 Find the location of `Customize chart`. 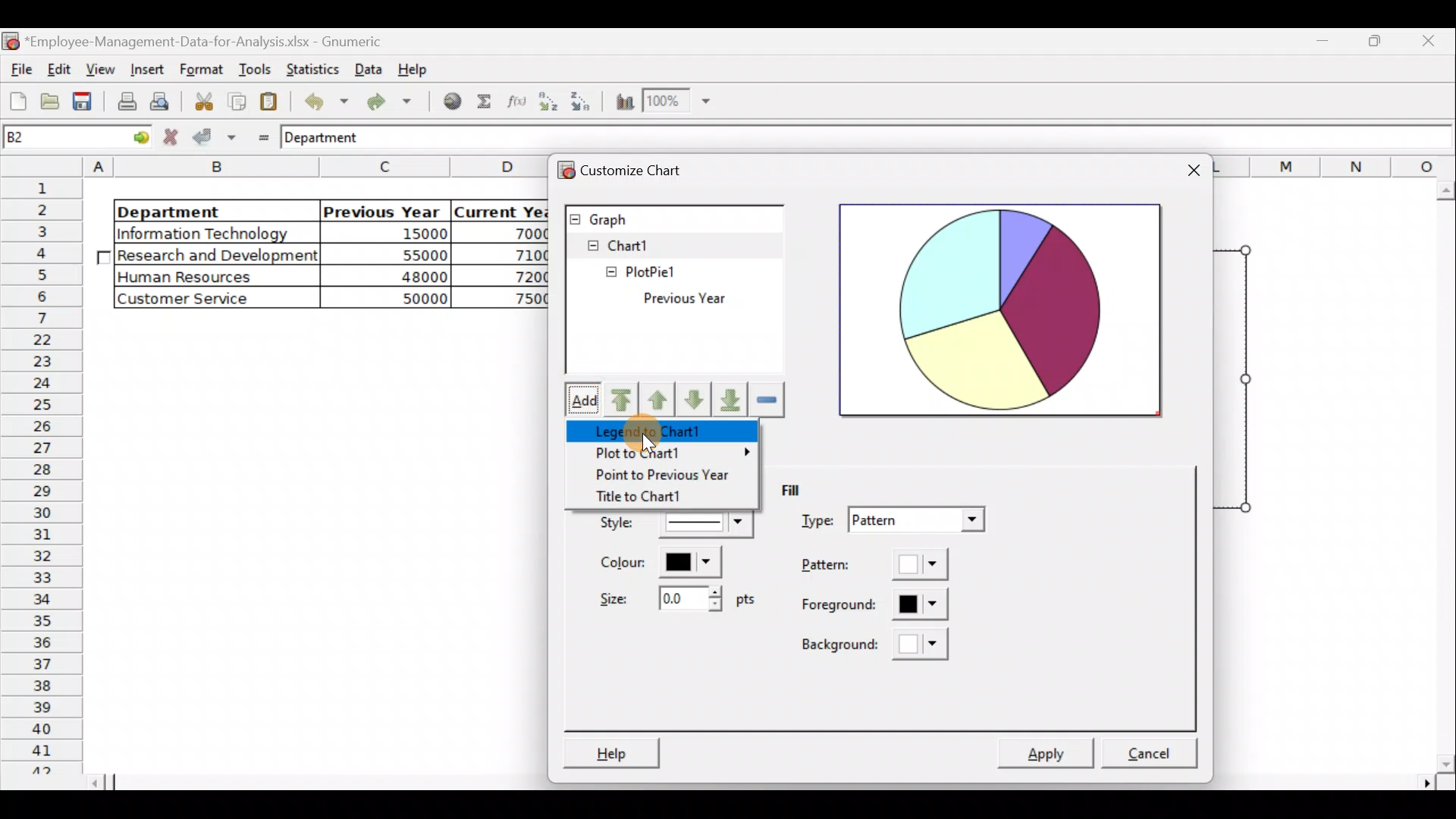

Customize chart is located at coordinates (651, 171).